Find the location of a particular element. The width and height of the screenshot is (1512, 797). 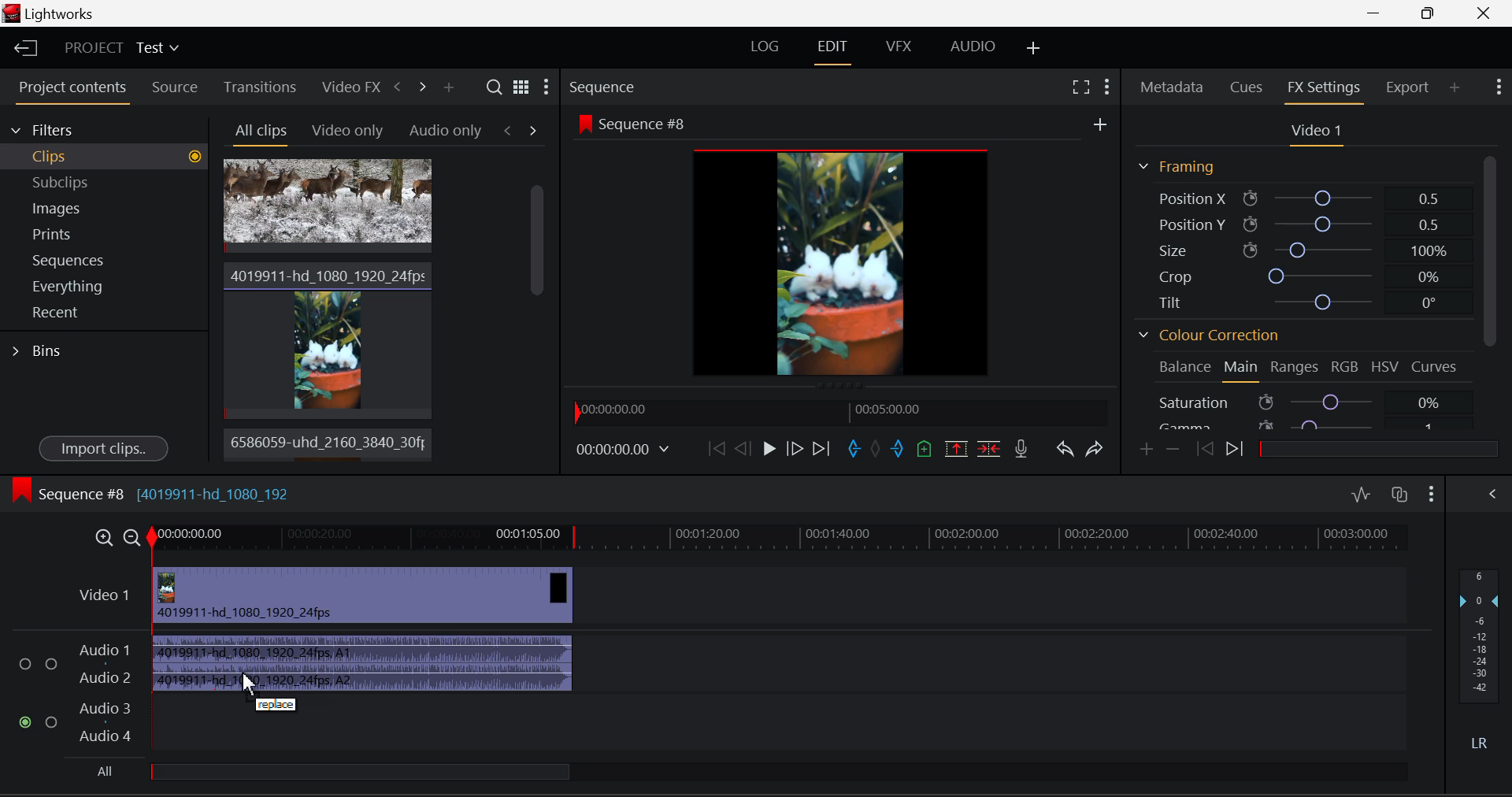

EDIT Layout is located at coordinates (833, 49).